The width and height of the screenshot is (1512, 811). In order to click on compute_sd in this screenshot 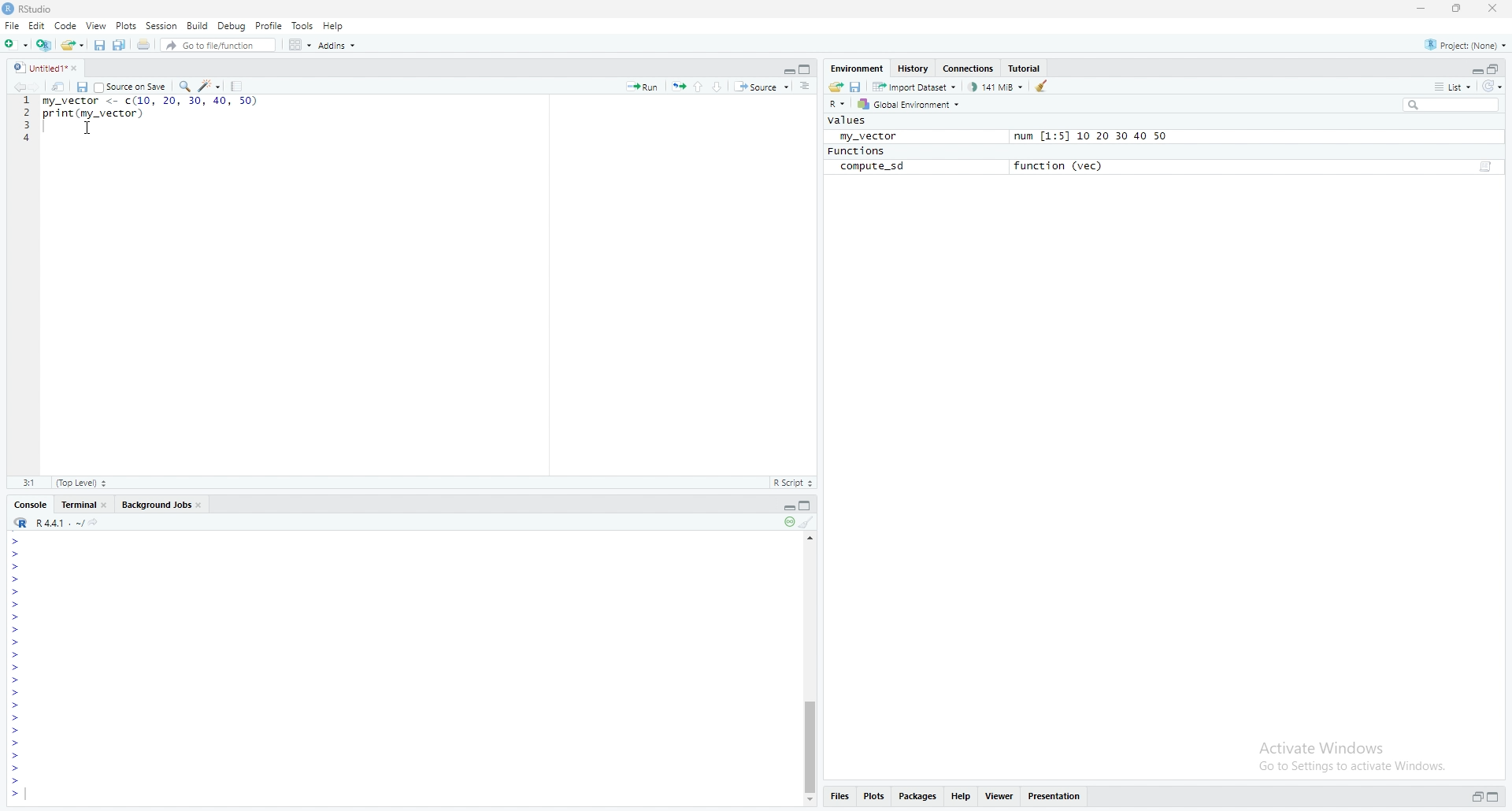, I will do `click(872, 167)`.